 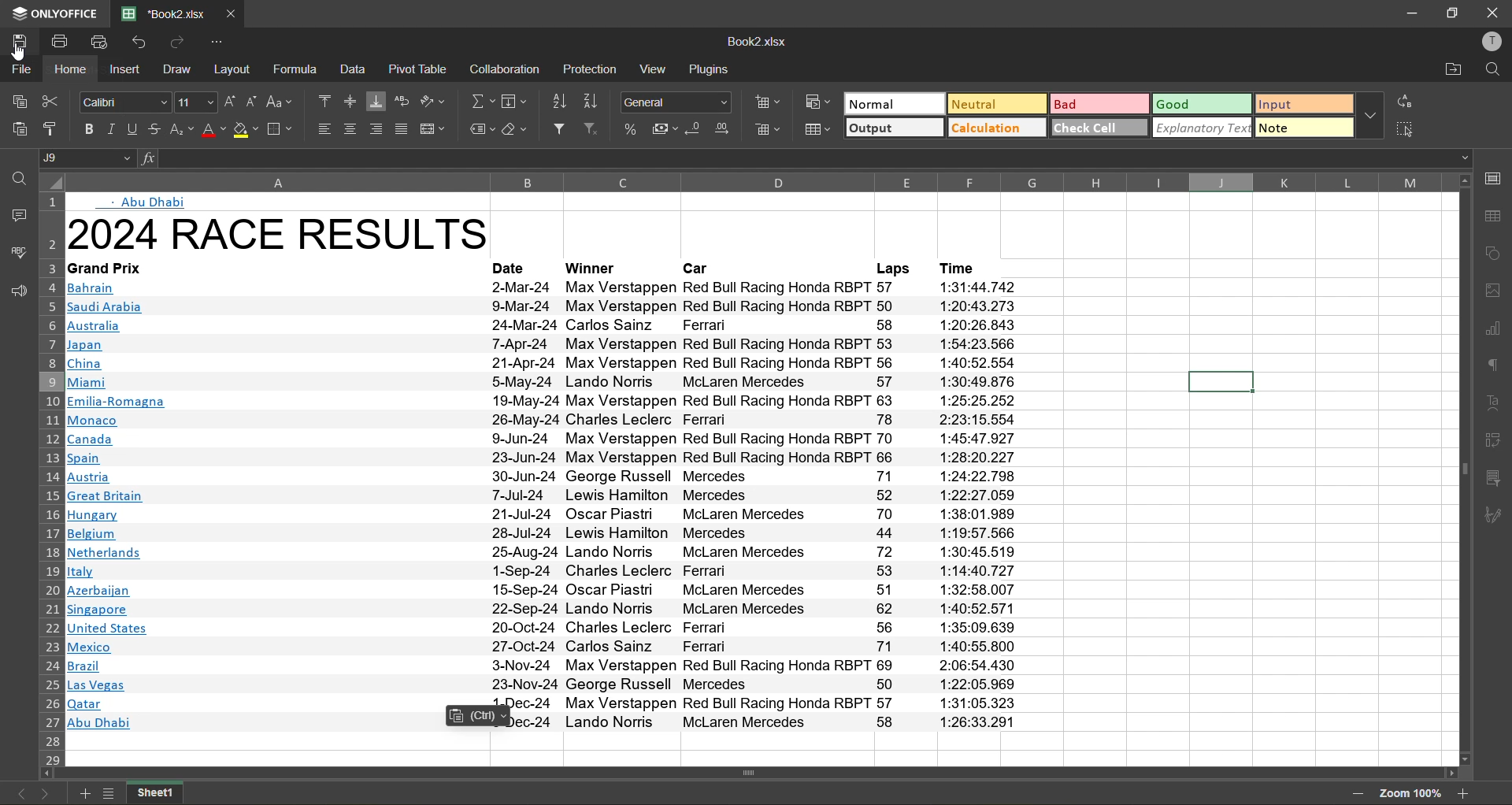 What do you see at coordinates (56, 130) in the screenshot?
I see `copy style` at bounding box center [56, 130].